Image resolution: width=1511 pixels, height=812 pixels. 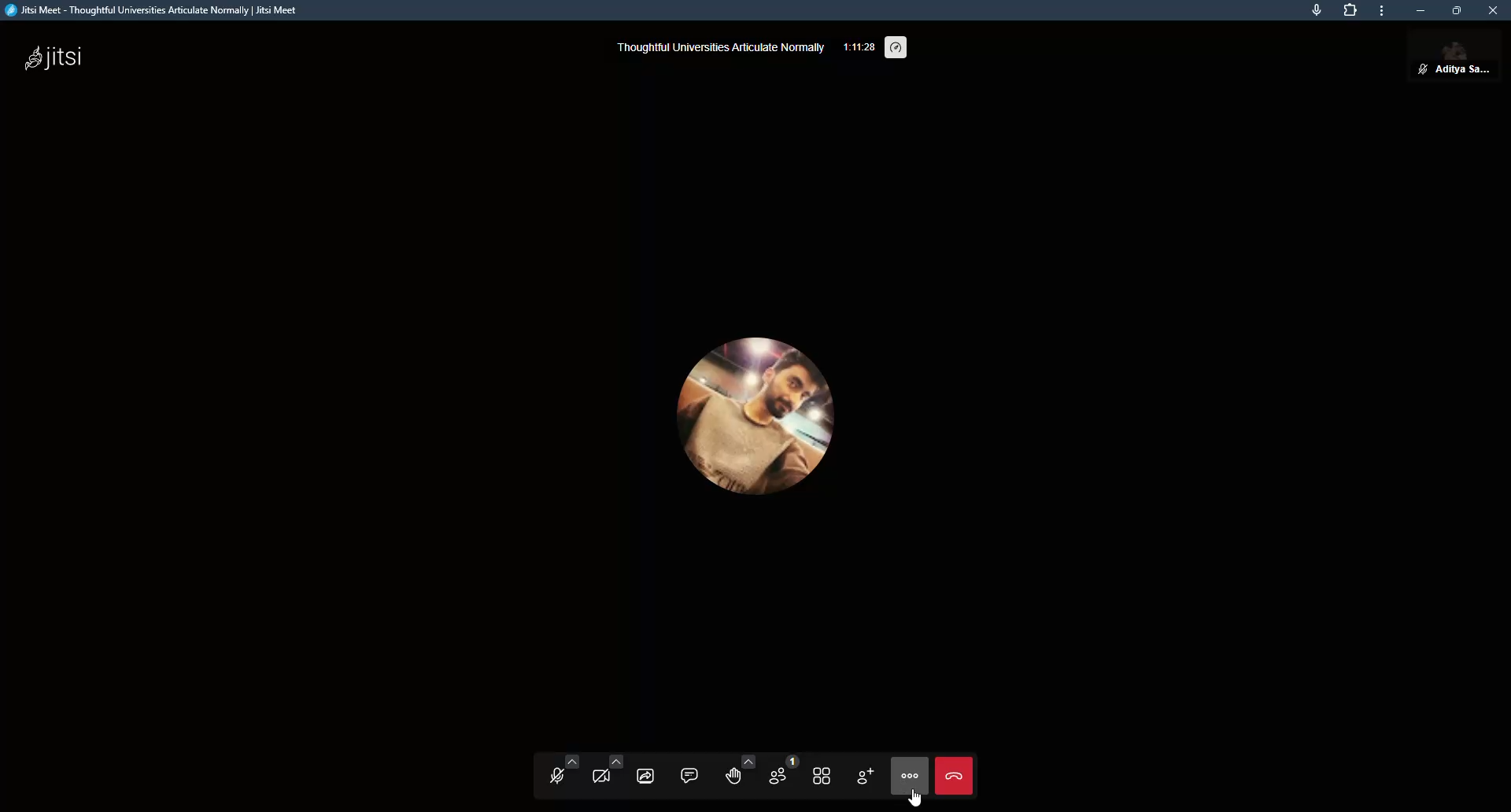 What do you see at coordinates (859, 45) in the screenshot?
I see `1:11:28` at bounding box center [859, 45].